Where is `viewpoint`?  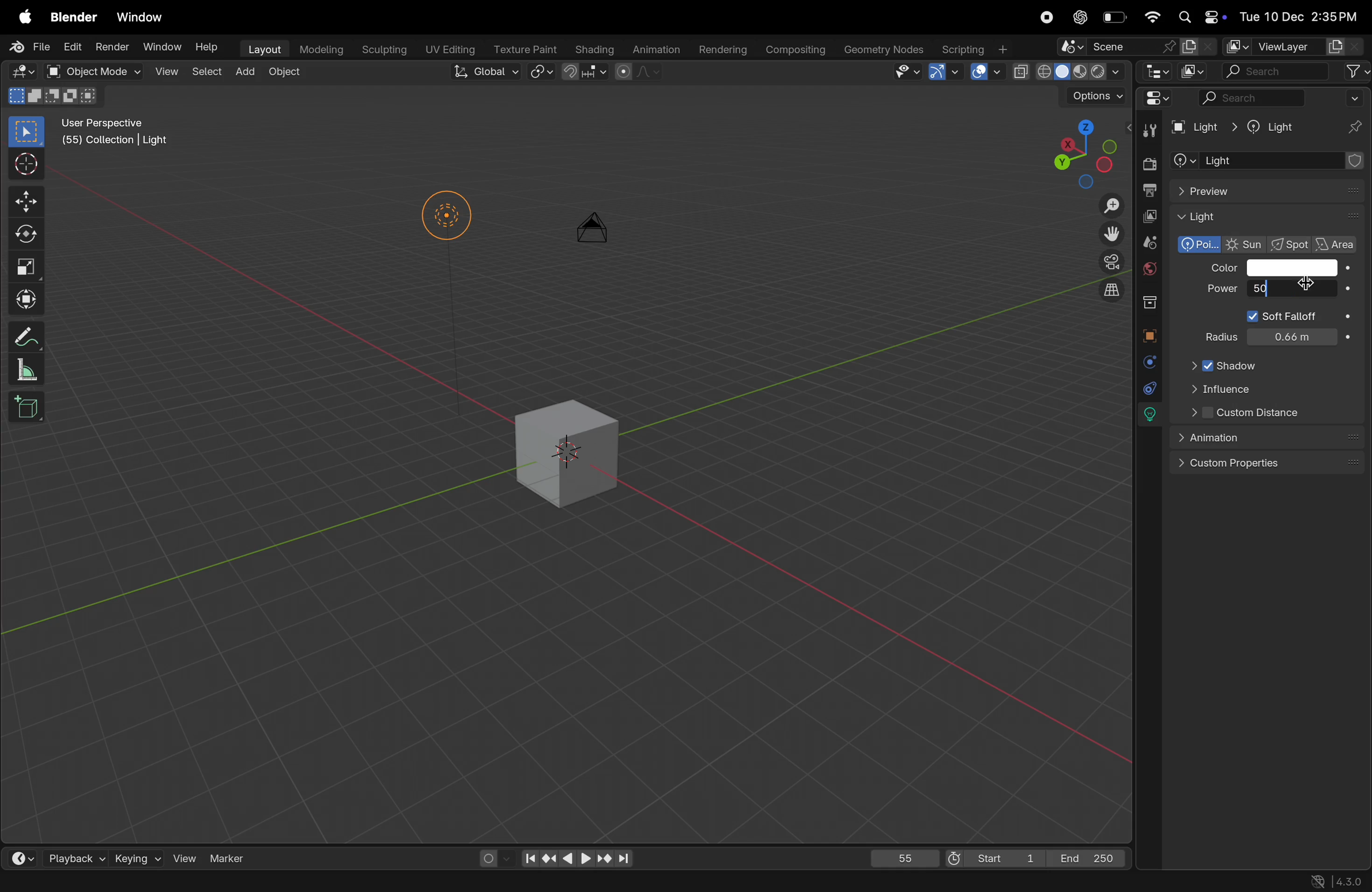
viewpoint is located at coordinates (1075, 152).